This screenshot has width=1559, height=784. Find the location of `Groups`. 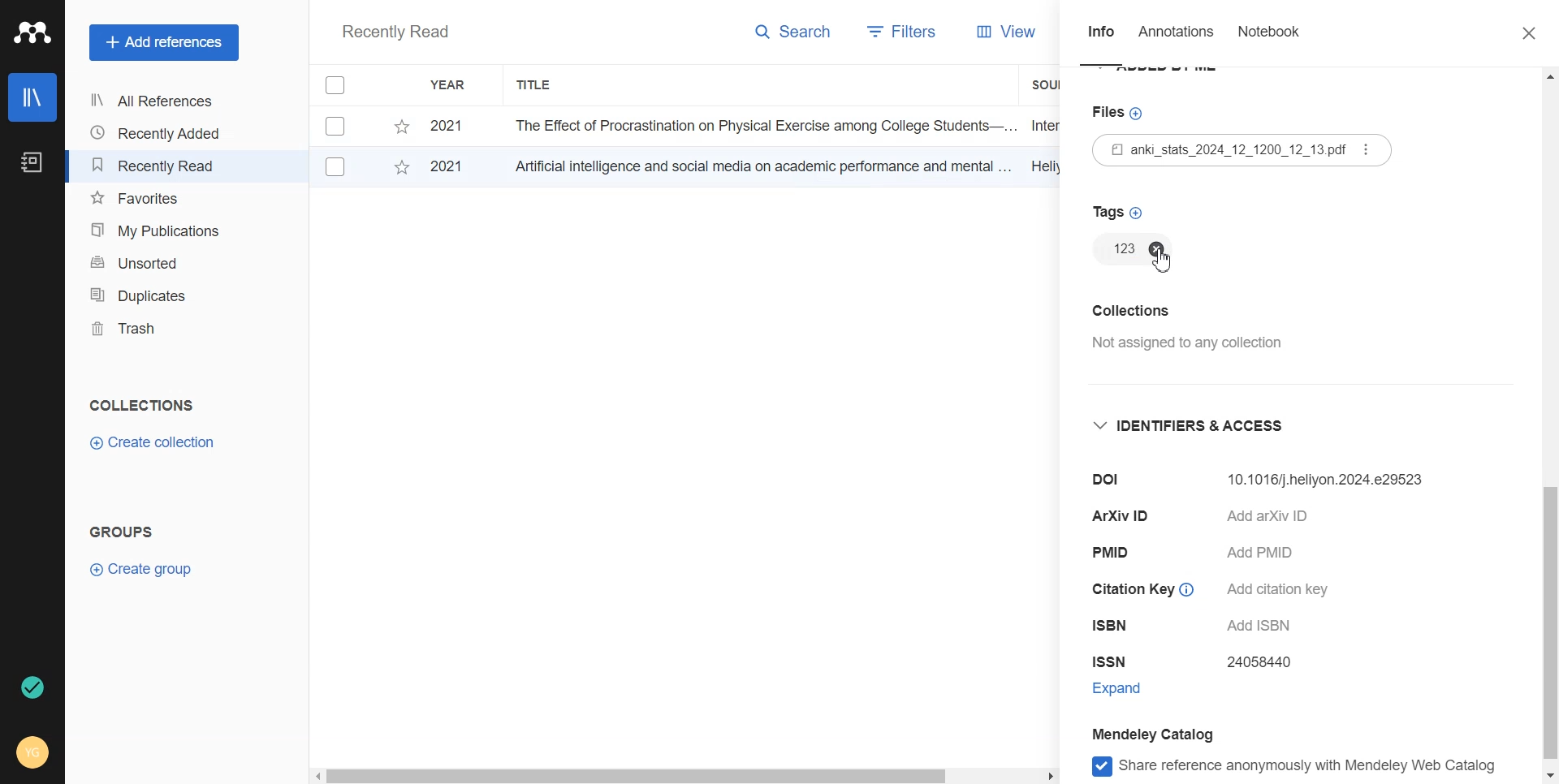

Groups is located at coordinates (126, 532).